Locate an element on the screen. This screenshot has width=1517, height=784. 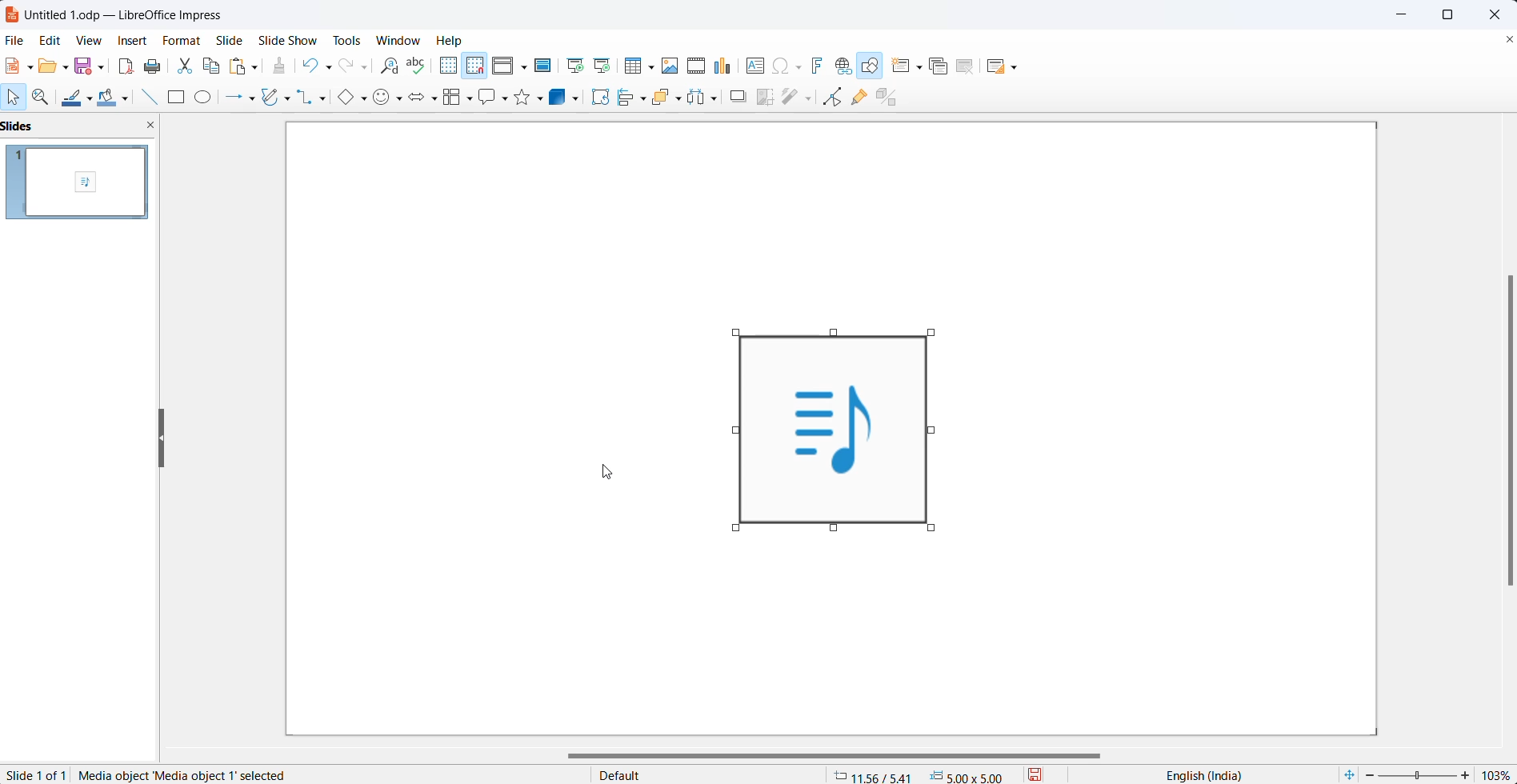
zoom and pan is located at coordinates (42, 98).